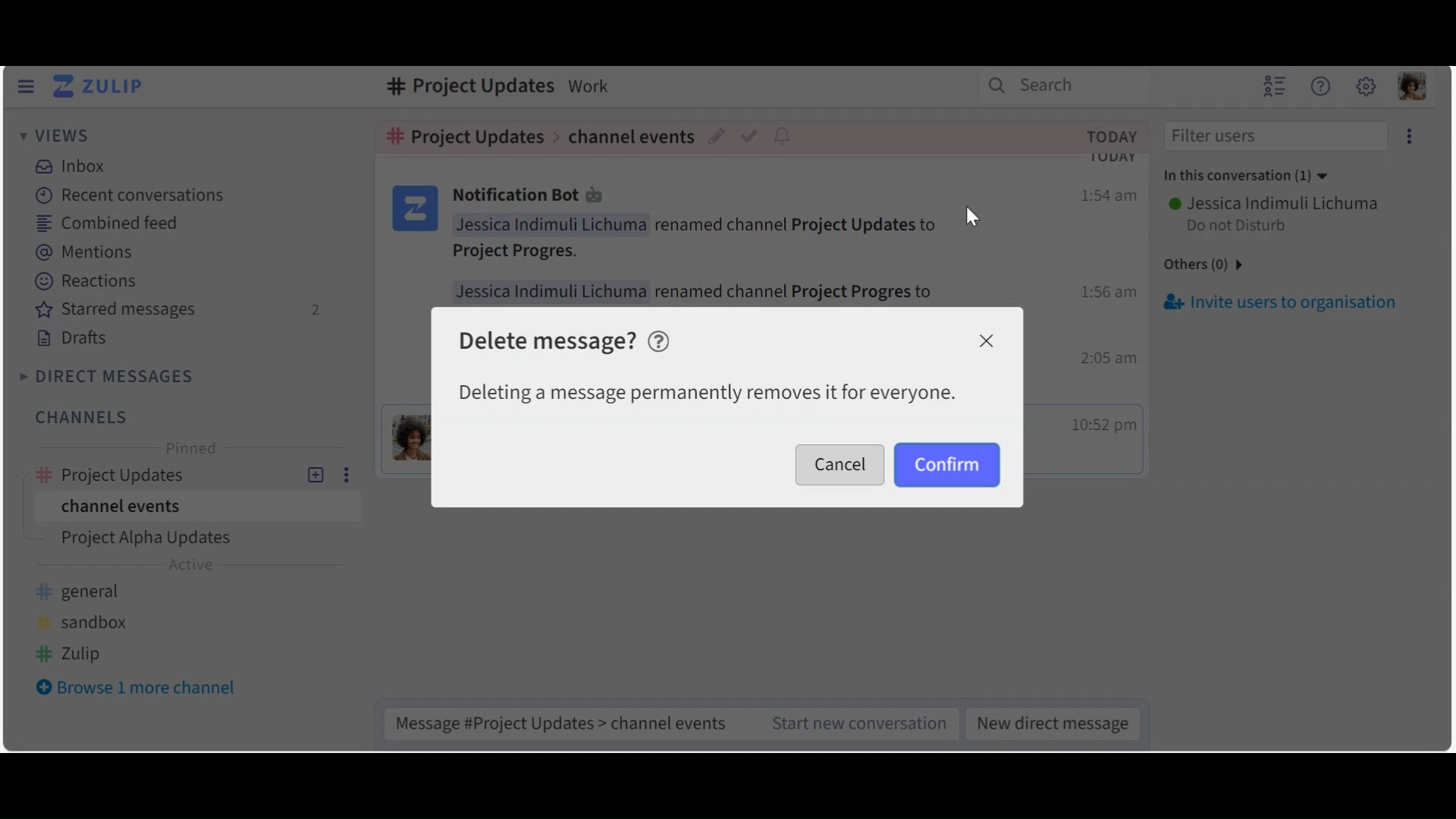  I want to click on Status, so click(1236, 224).